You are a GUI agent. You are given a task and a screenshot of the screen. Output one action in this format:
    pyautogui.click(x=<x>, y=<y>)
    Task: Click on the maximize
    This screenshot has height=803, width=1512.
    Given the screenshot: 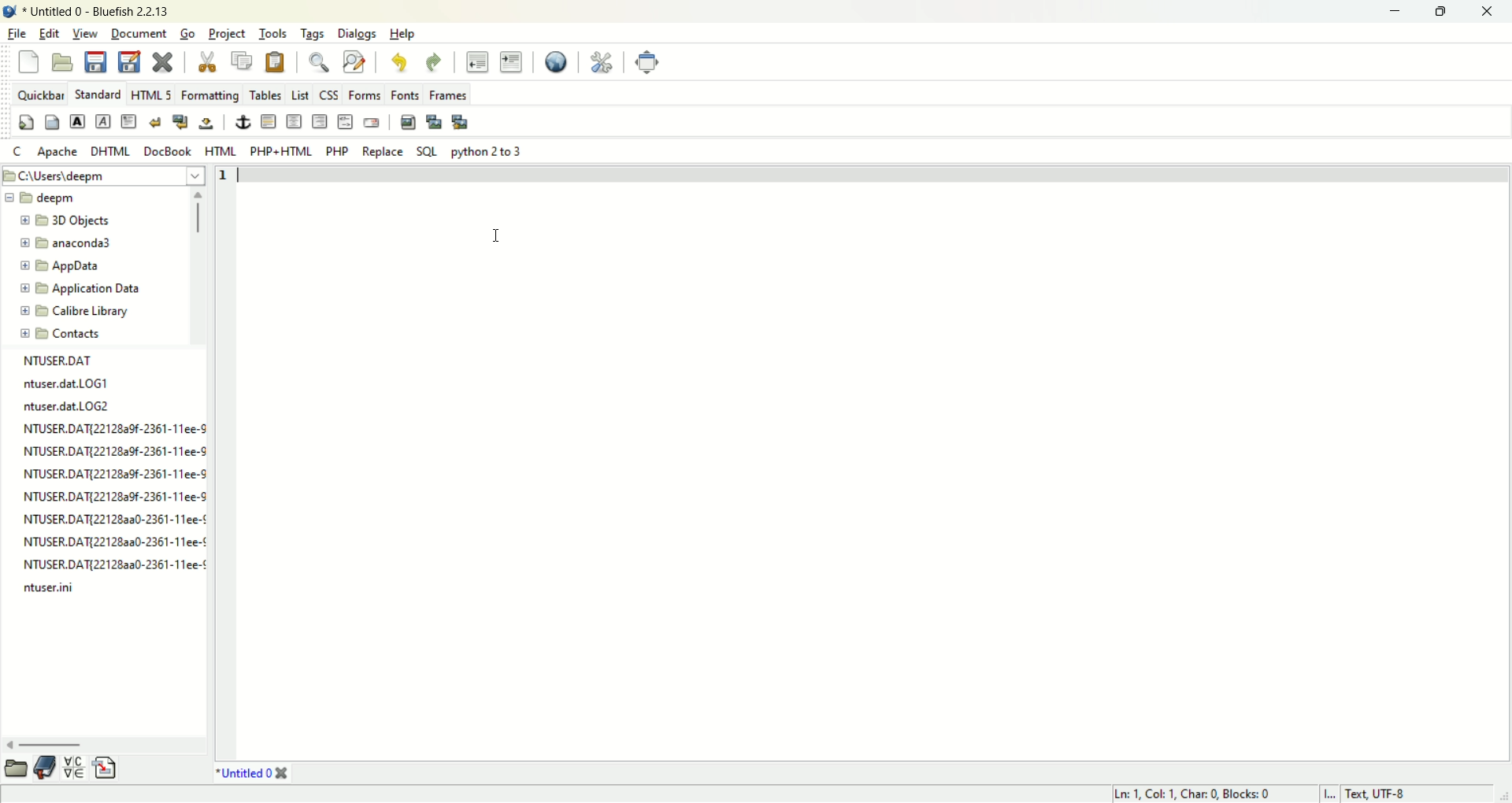 What is the action you would take?
    pyautogui.click(x=1440, y=13)
    